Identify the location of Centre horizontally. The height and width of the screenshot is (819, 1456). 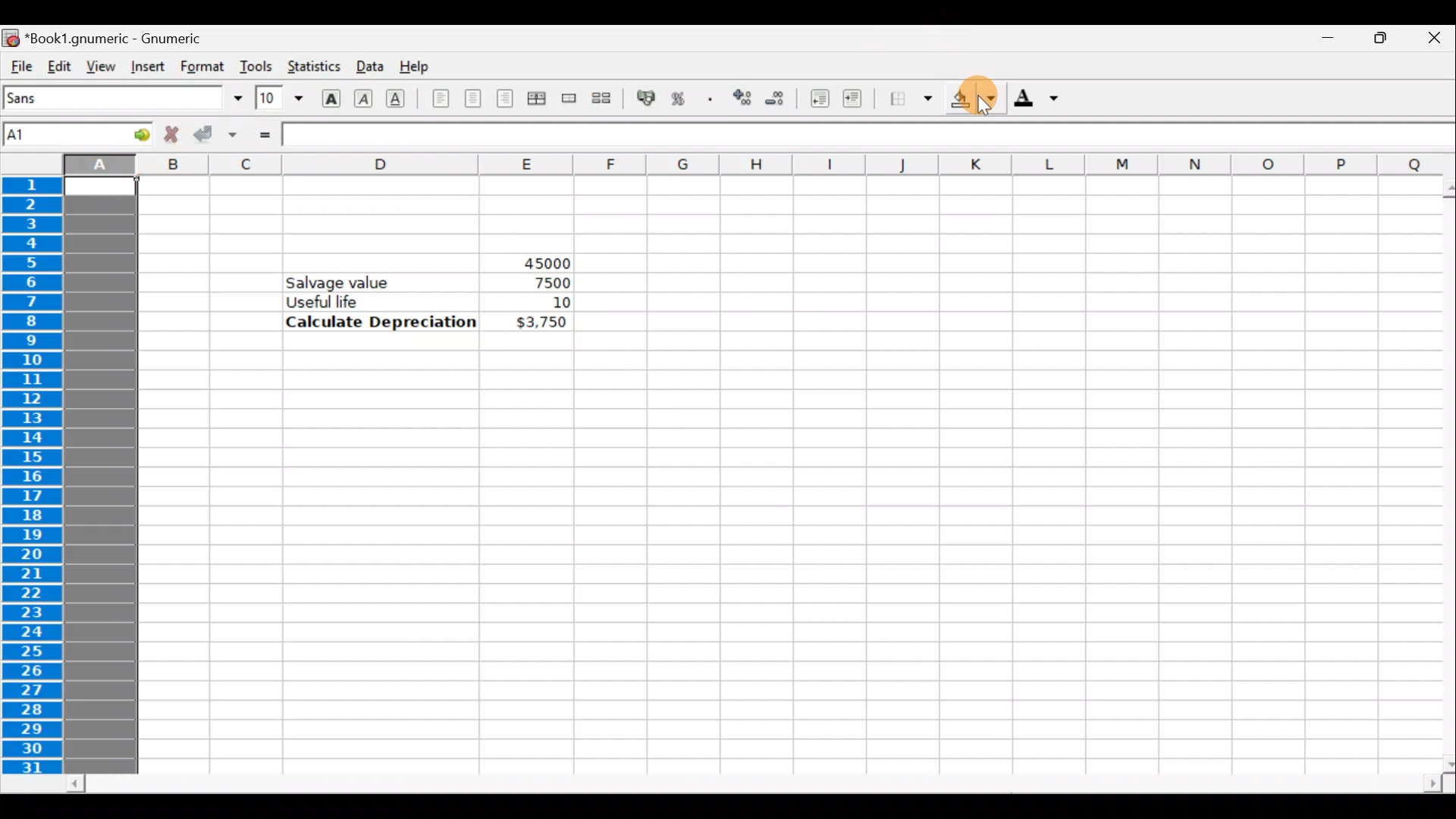
(472, 103).